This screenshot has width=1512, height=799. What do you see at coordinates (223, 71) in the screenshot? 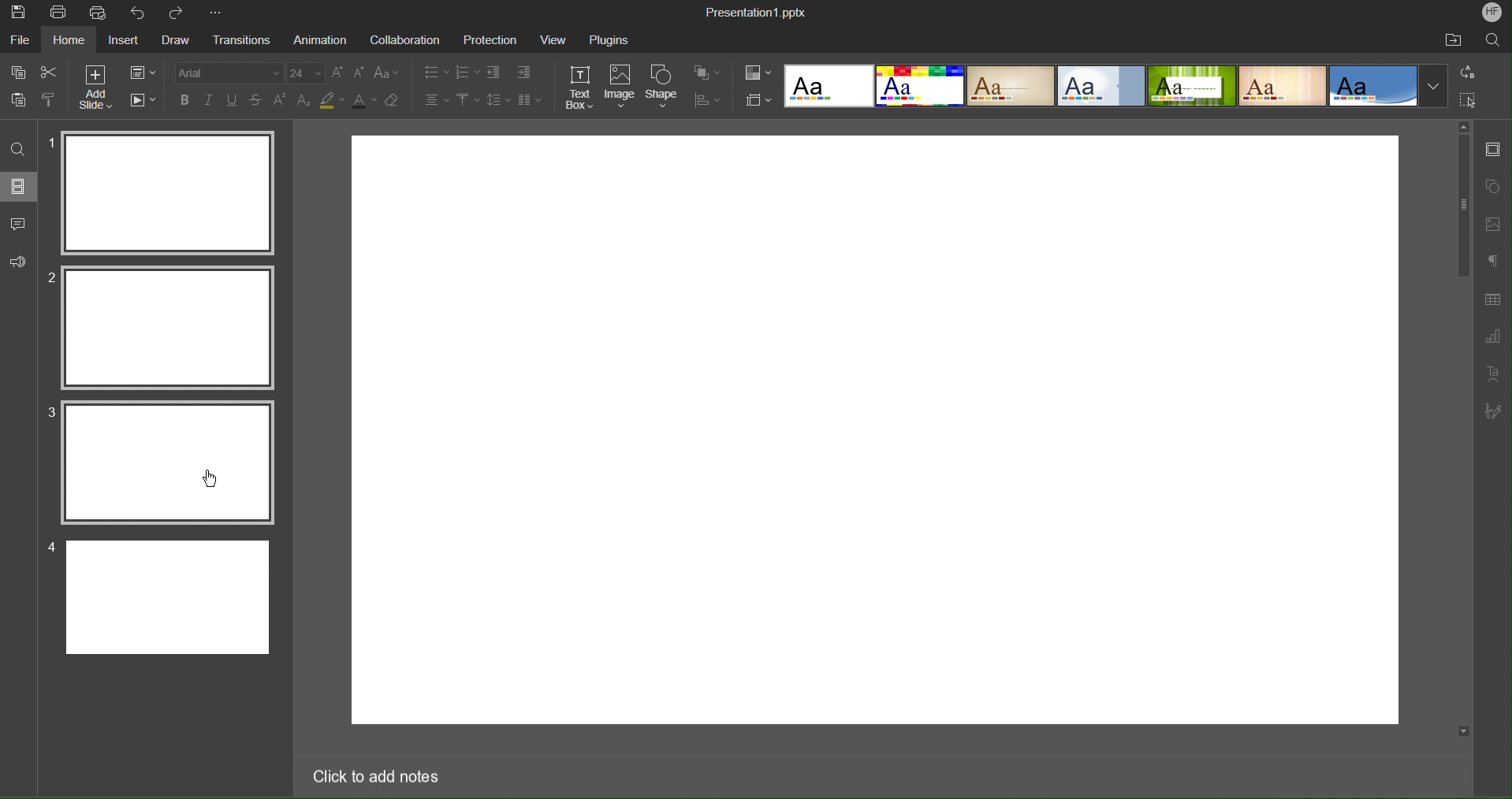
I see `Font ` at bounding box center [223, 71].